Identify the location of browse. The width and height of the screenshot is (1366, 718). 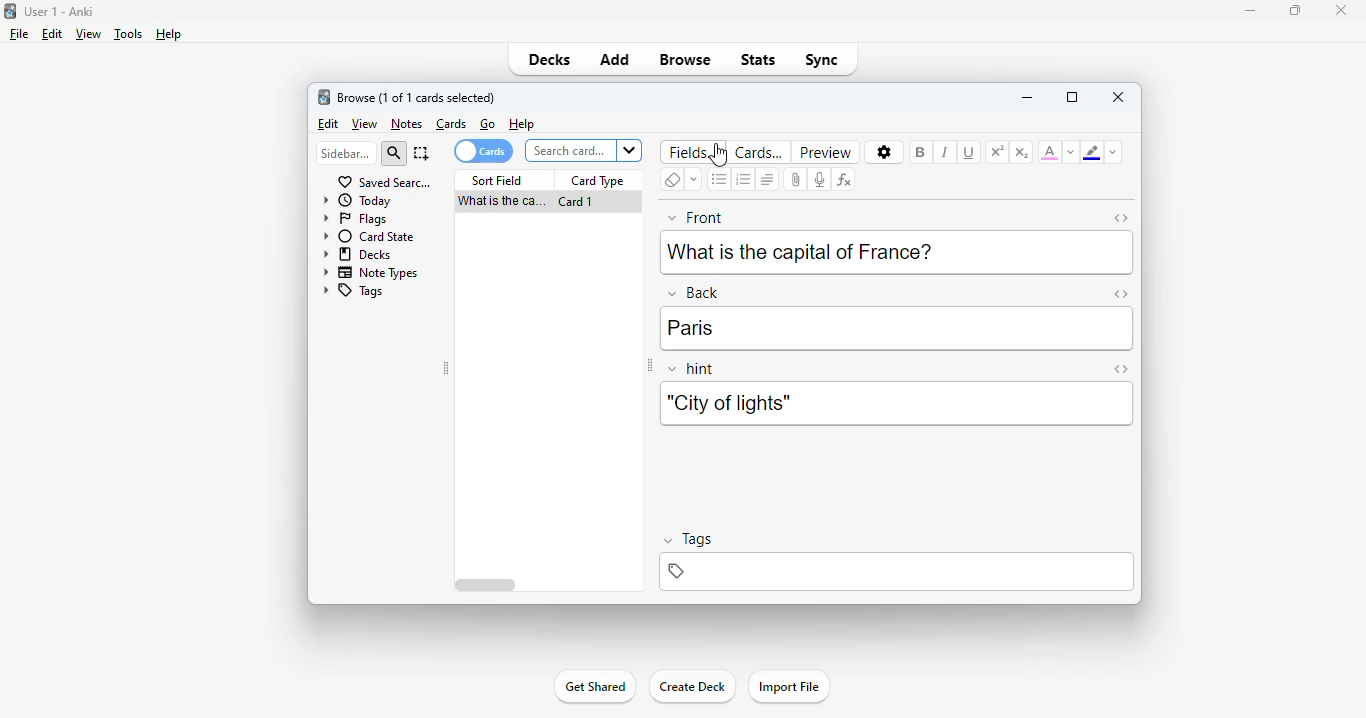
(685, 59).